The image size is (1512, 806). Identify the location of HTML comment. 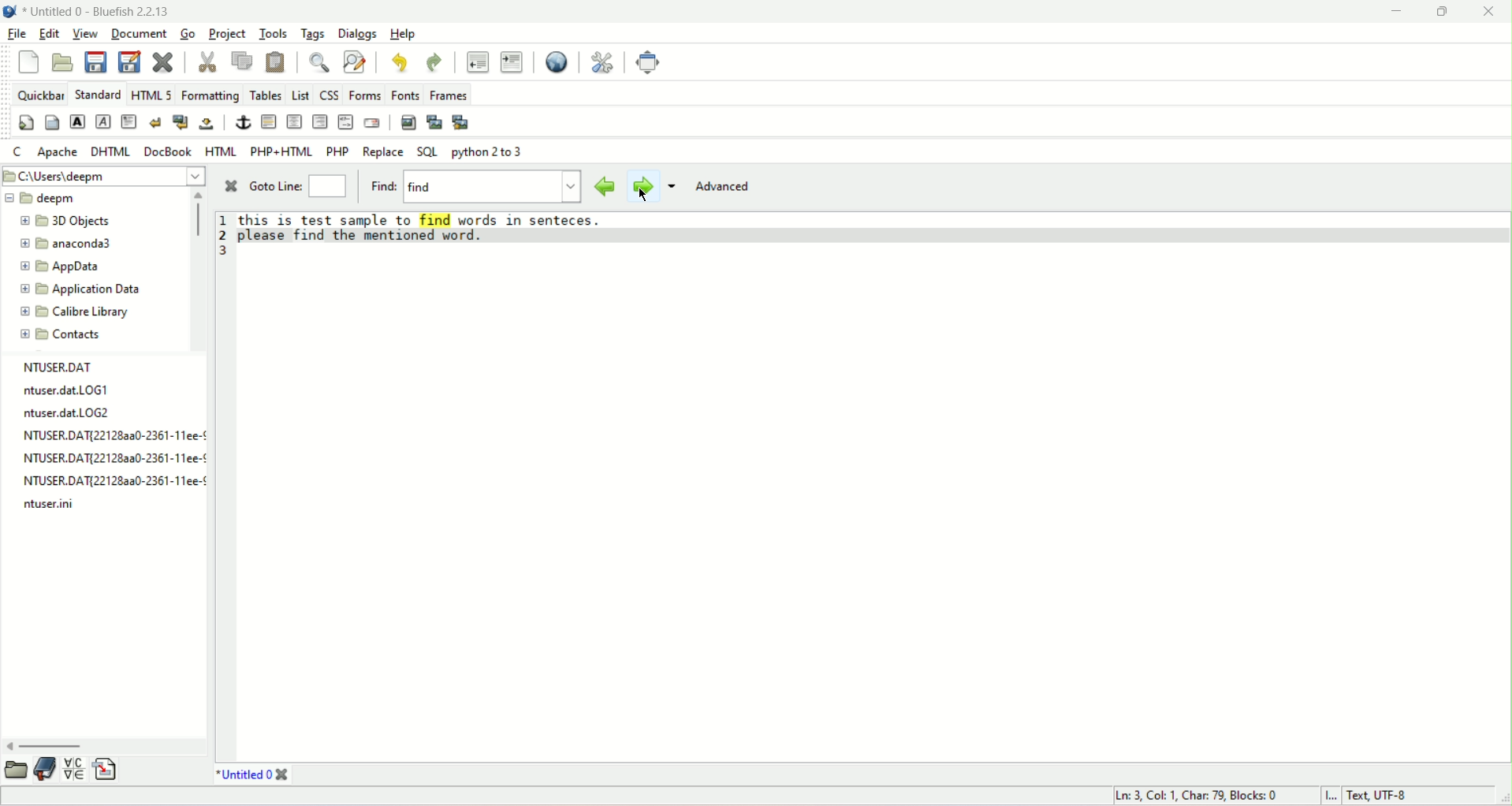
(346, 123).